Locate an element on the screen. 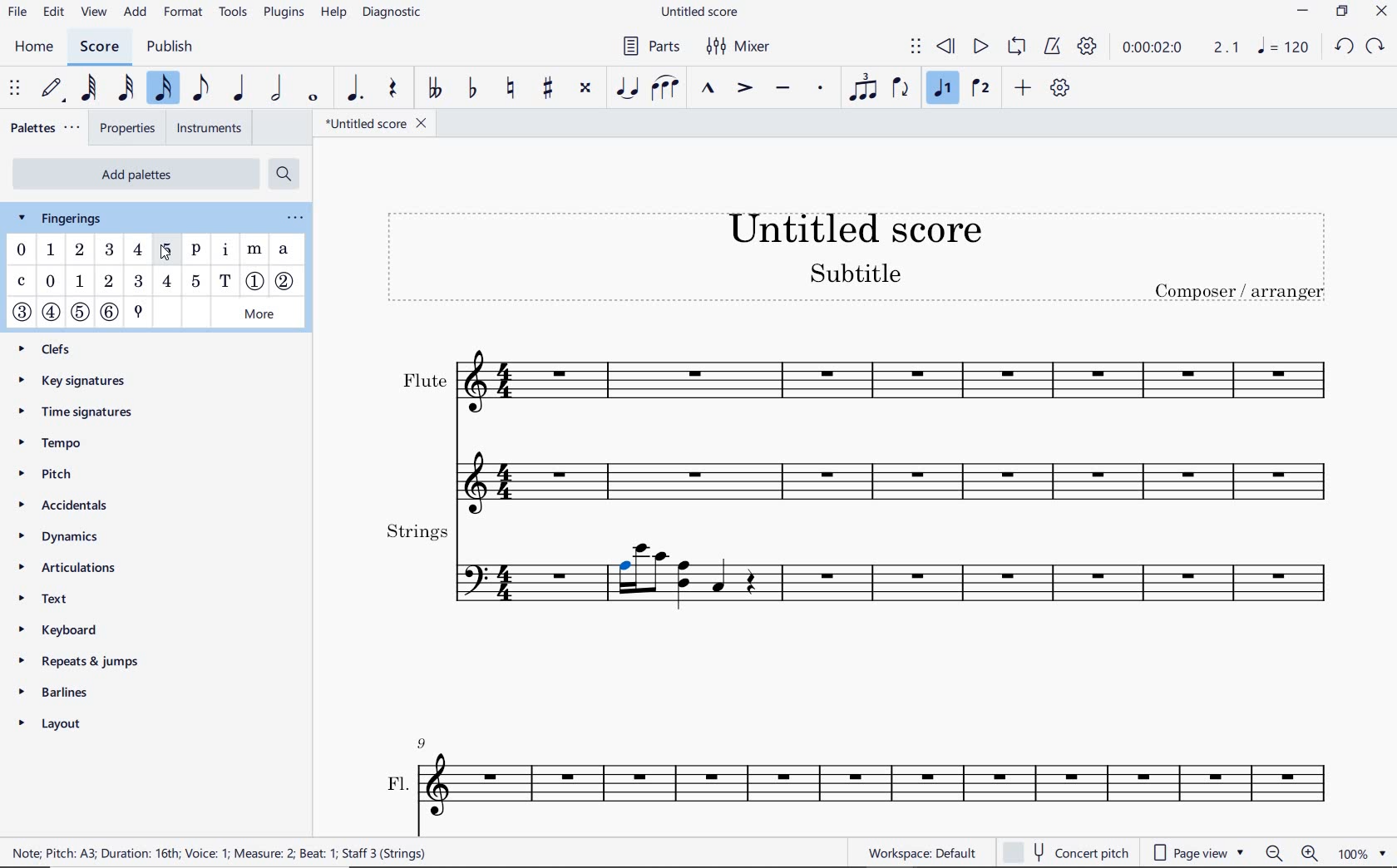  dynamics is located at coordinates (70, 537).